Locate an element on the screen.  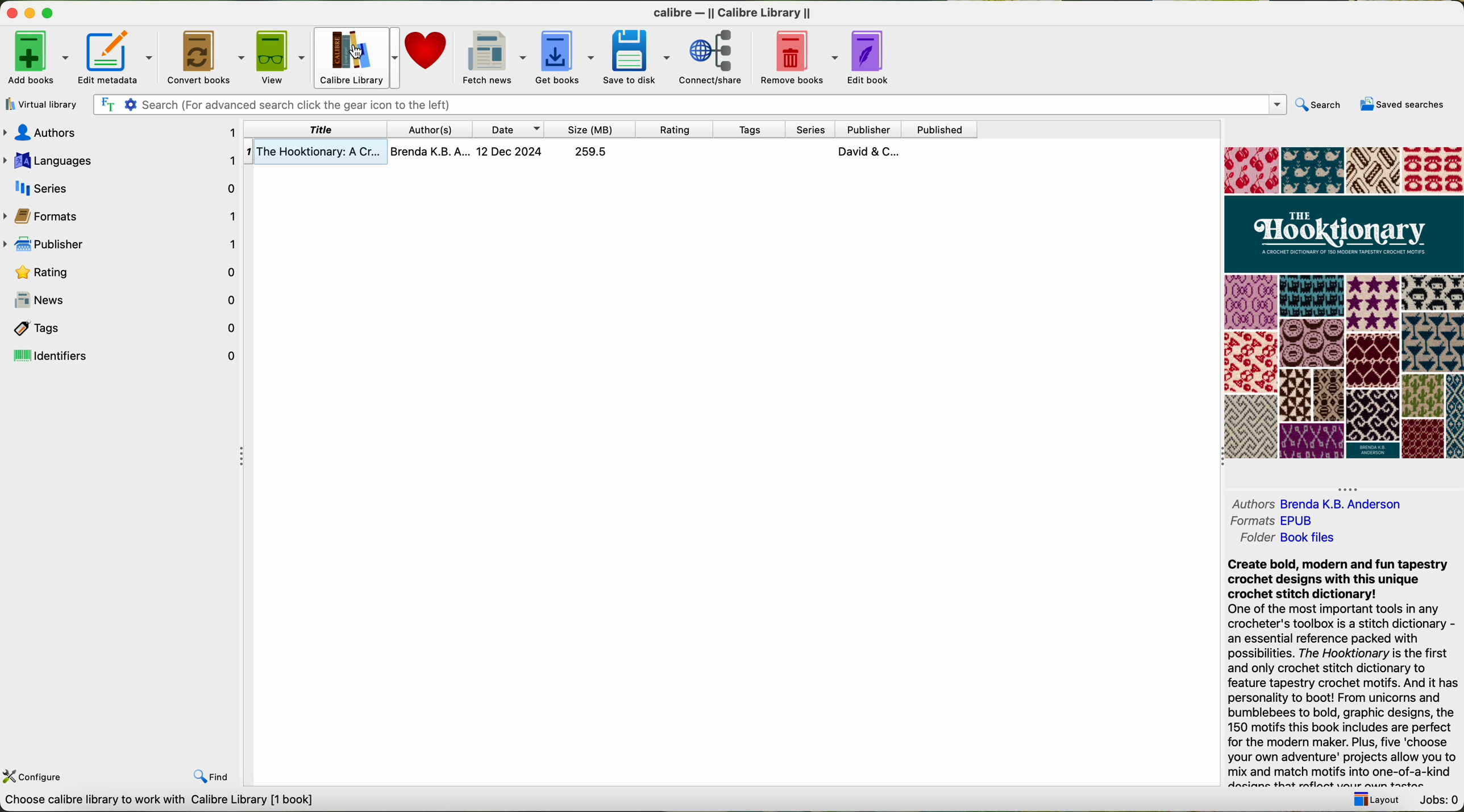
published is located at coordinates (942, 128).